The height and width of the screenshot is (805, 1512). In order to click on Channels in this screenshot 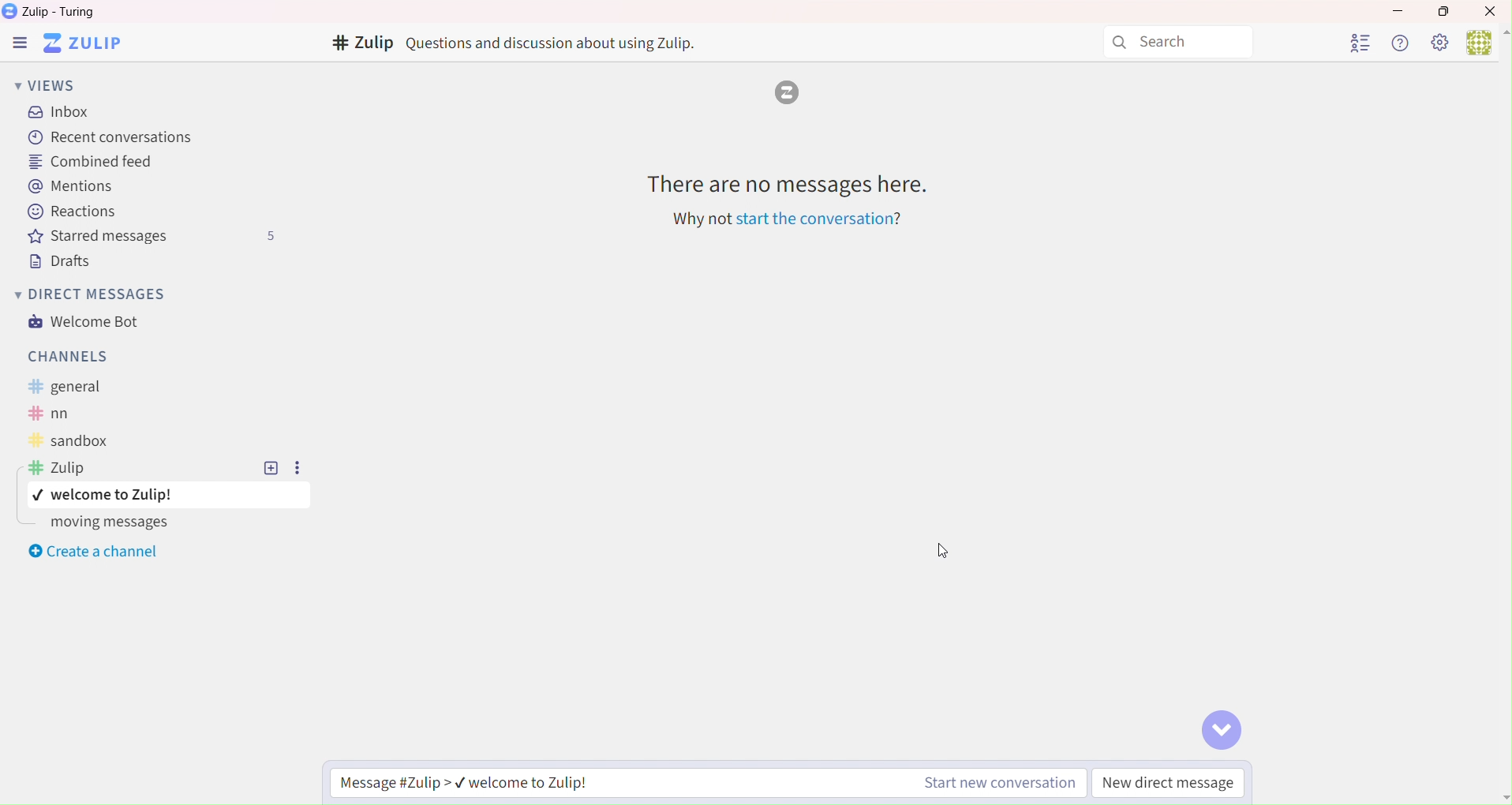, I will do `click(364, 43)`.